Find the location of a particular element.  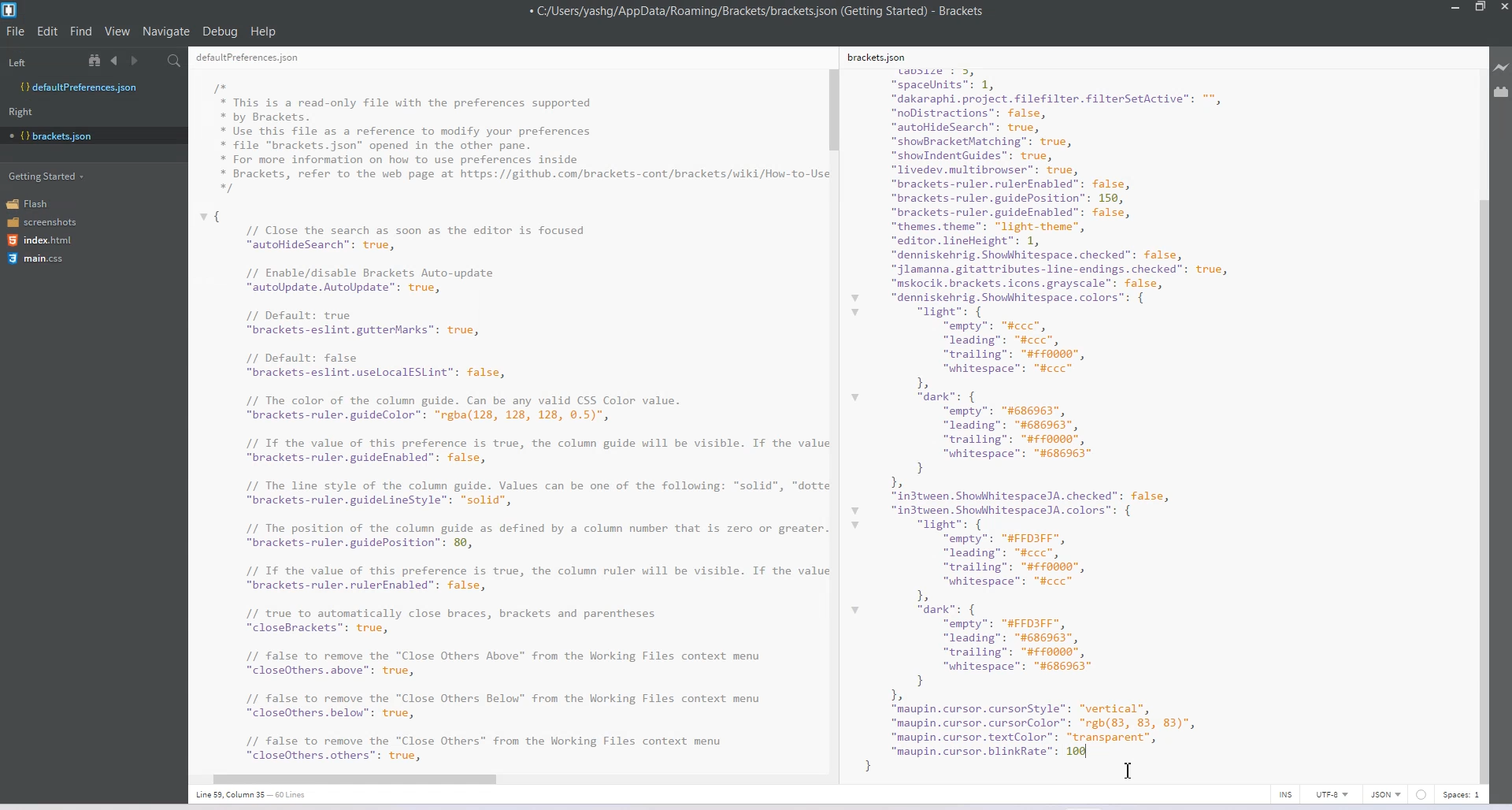

RE I
I”
* This is a read-only file with the preferences supported
* by Brackets.
* Use this file as a reference to modify your preferences
* file "brackets.json" opened in the other pane.
* For more information on how to use preferences inside
* Brackets, refer to the web page at https://github.com/brackets-cont/brackets/wiki/How-to-U:
*/
{
// Close the search as soon as the editor is focused
“autoHideSearch”: true,
// Enable/disable Brackets Auto-update
“autoUpdate. AutoUpdate”: true,
// Default: true
“brackets-eslint.gutterMarks": true,
// Default: false
“brackets-eslint.uselocalESLint": false,
// The color of the column guide. Can be any valid CSS Color value.
“brackets-ruler.guideColor": "rgba(128, 128, 128, ©.5)",
// Tf the value of this preference is true, the column guide will be visible. If the val:
“brackets-ruler.guideEnabled": false,
// The line style of the column guide. Values can be one of the following: “solid”, "dott
“brackets-ruler.guidelineStyle": "solid",
// The position of the column guide as defined by a column number that is zero or greater
“brackets-ruler.guidePosition": 89,
// Tf the value of this preference is true, the column ruler will be visible. If the val:
“brackets-ruler.rulerEnabled": false,
// true to automatically close braces, brackets and parentheses
“closeBrackets": true,
// false to remove the "Close Others Above” from the Working Files context menu
“closeOthers.above": true,
// false to remove the "Close Others Below” from the Working Files context menu
“closeOthers.below": true,
// false to remove the "Close Others” from the Working Files context menu
"closeOthers.others”: true, is located at coordinates (507, 408).